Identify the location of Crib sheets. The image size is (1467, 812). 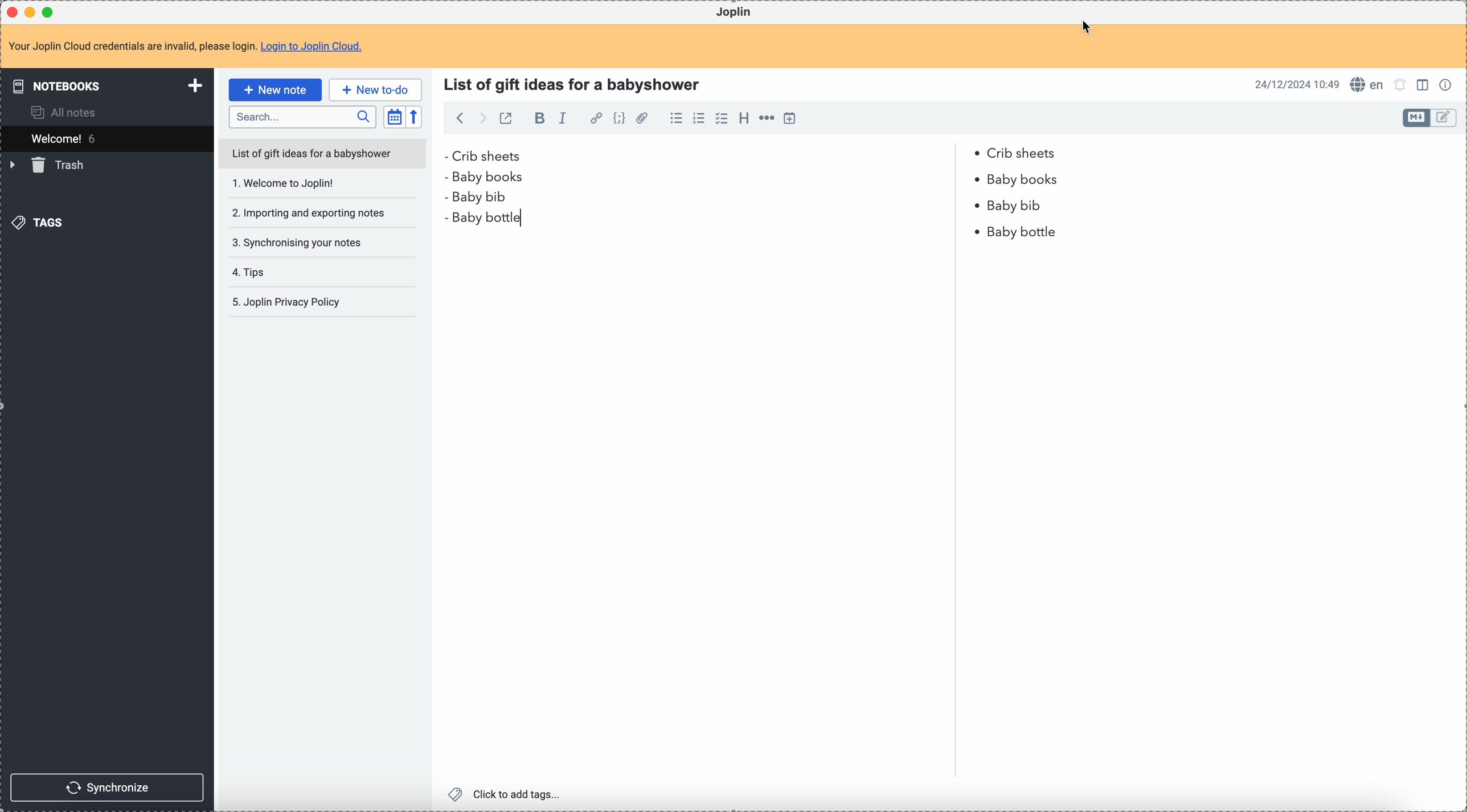
(757, 155).